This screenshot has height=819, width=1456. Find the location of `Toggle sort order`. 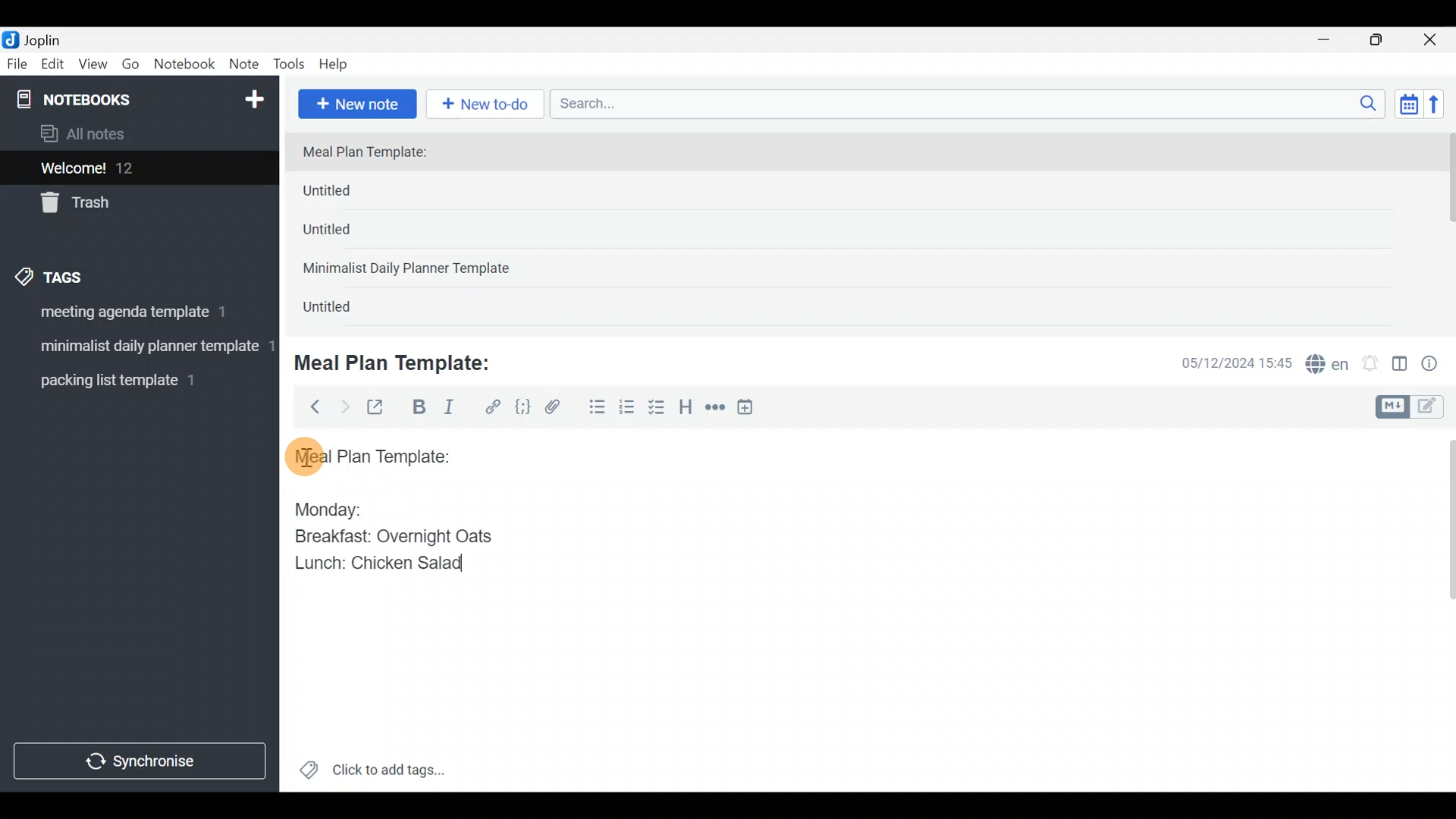

Toggle sort order is located at coordinates (1408, 105).